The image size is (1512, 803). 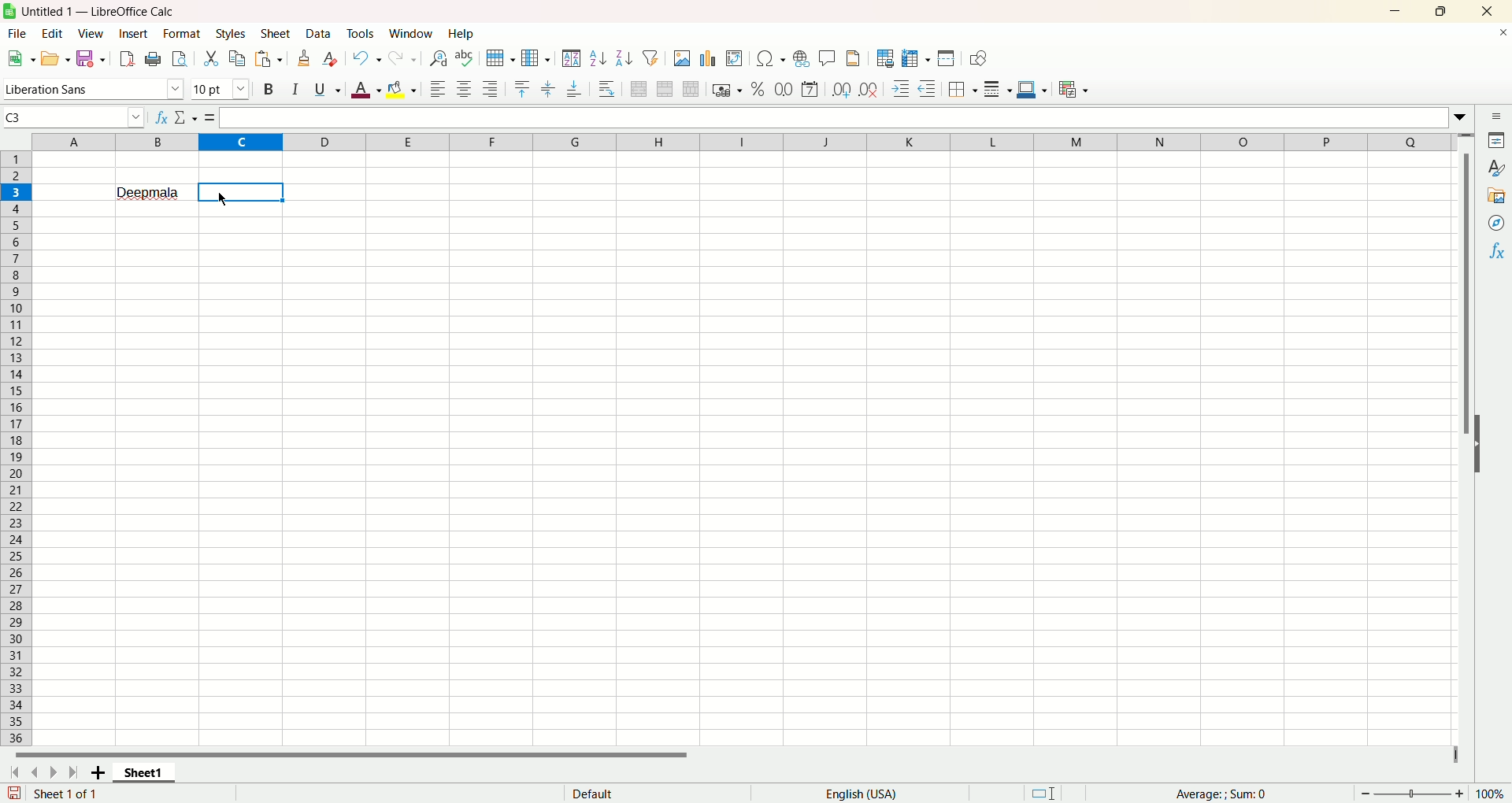 What do you see at coordinates (14, 793) in the screenshot?
I see `save` at bounding box center [14, 793].